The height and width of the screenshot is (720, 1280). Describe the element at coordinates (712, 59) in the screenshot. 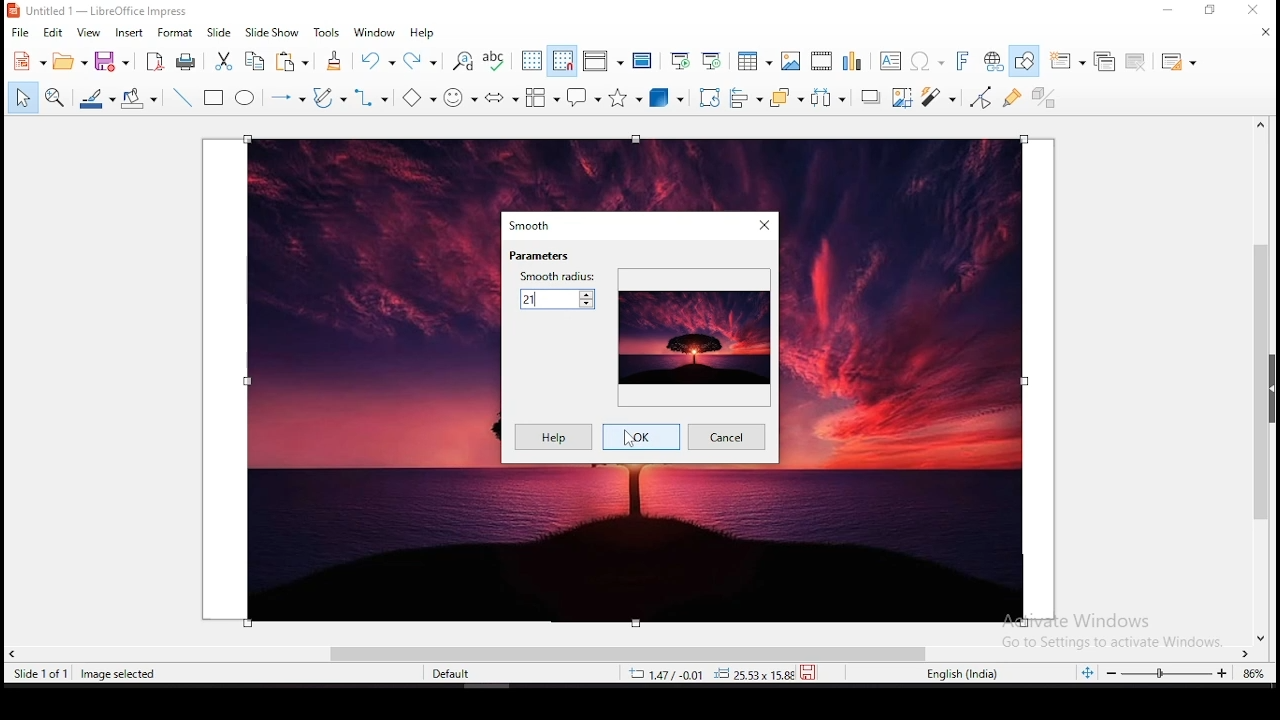

I see `start from current slide` at that location.